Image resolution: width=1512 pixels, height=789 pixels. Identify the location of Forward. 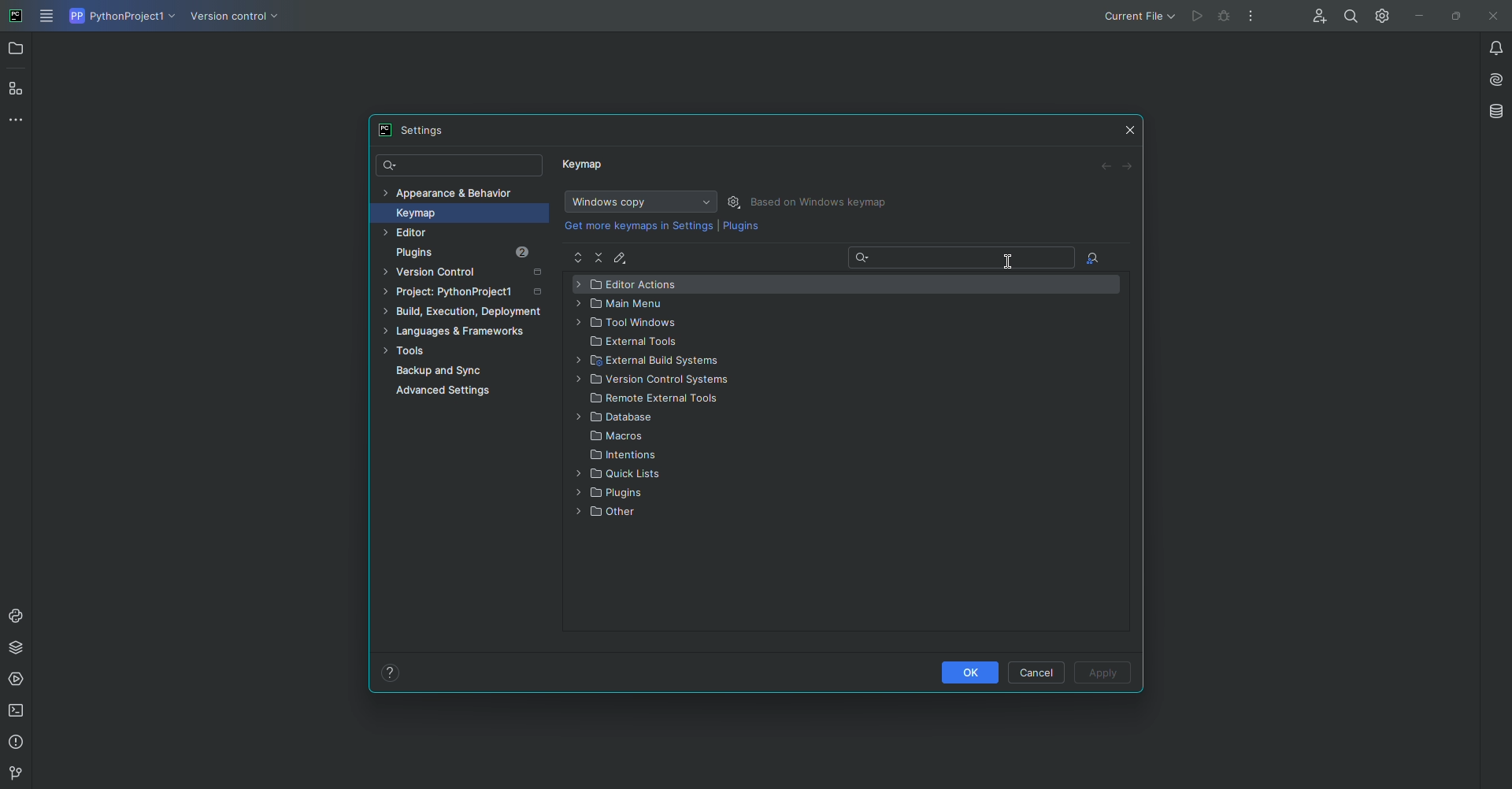
(1128, 166).